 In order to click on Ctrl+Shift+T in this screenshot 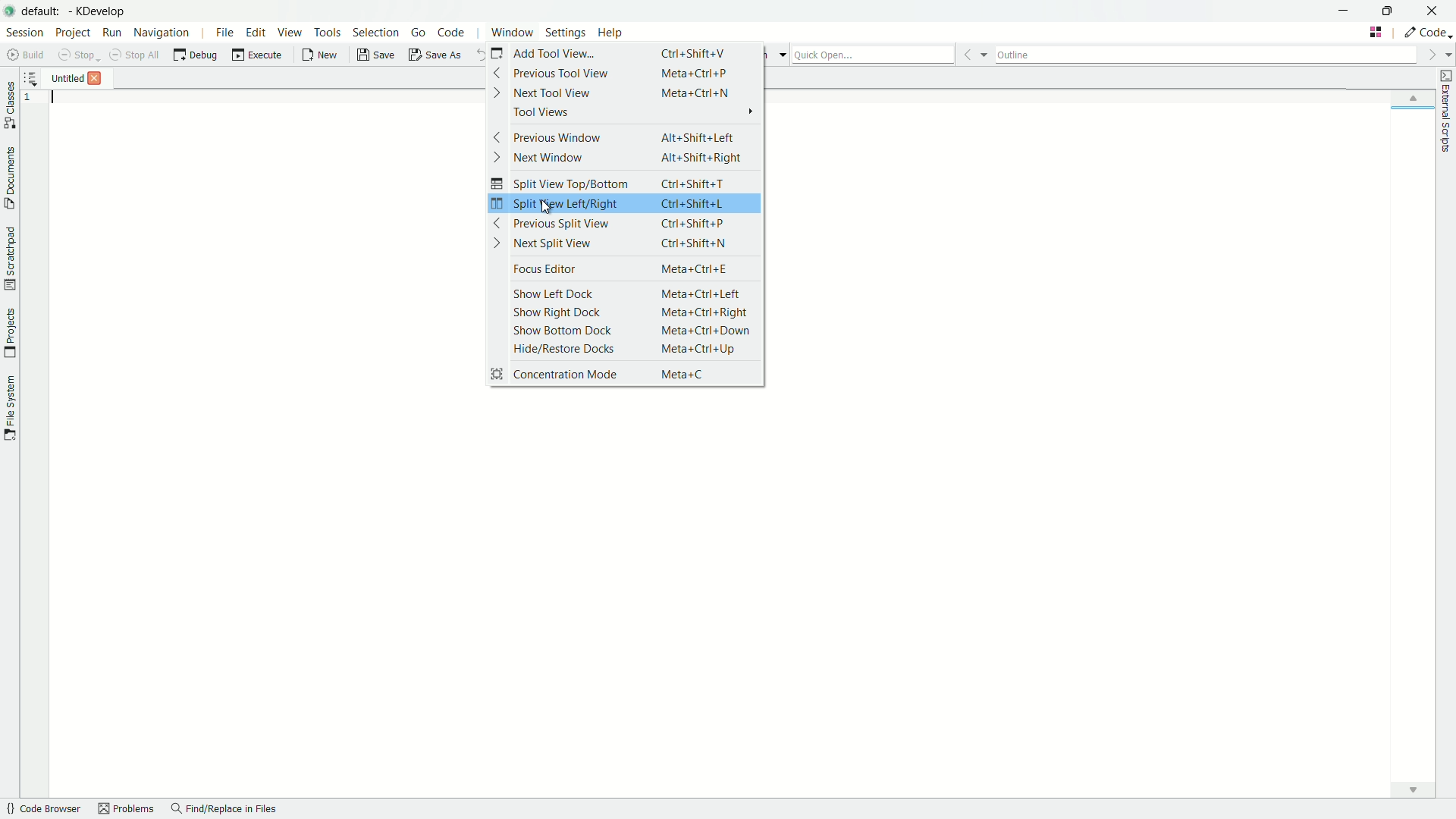, I will do `click(696, 183)`.